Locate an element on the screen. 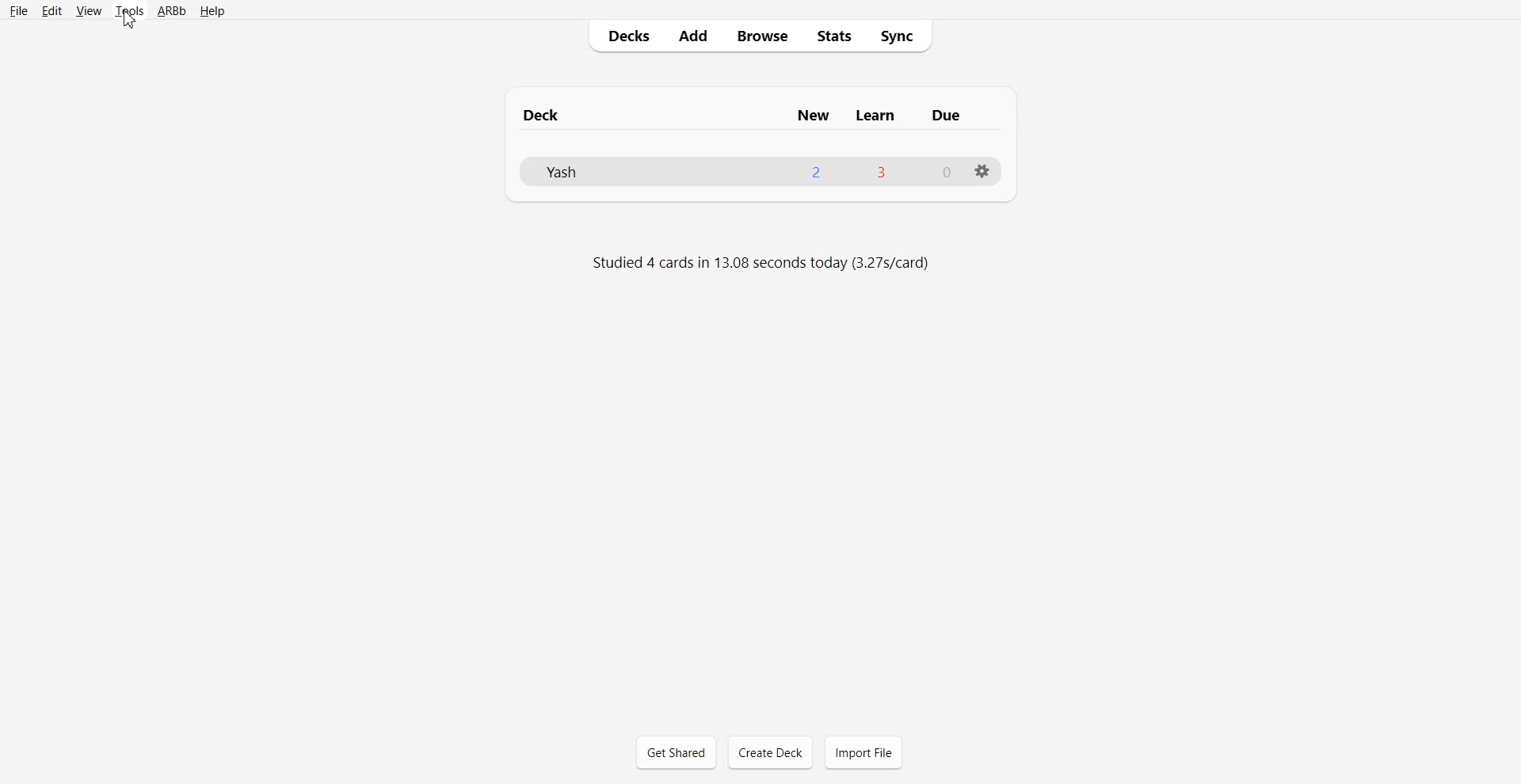  Sync is located at coordinates (904, 36).